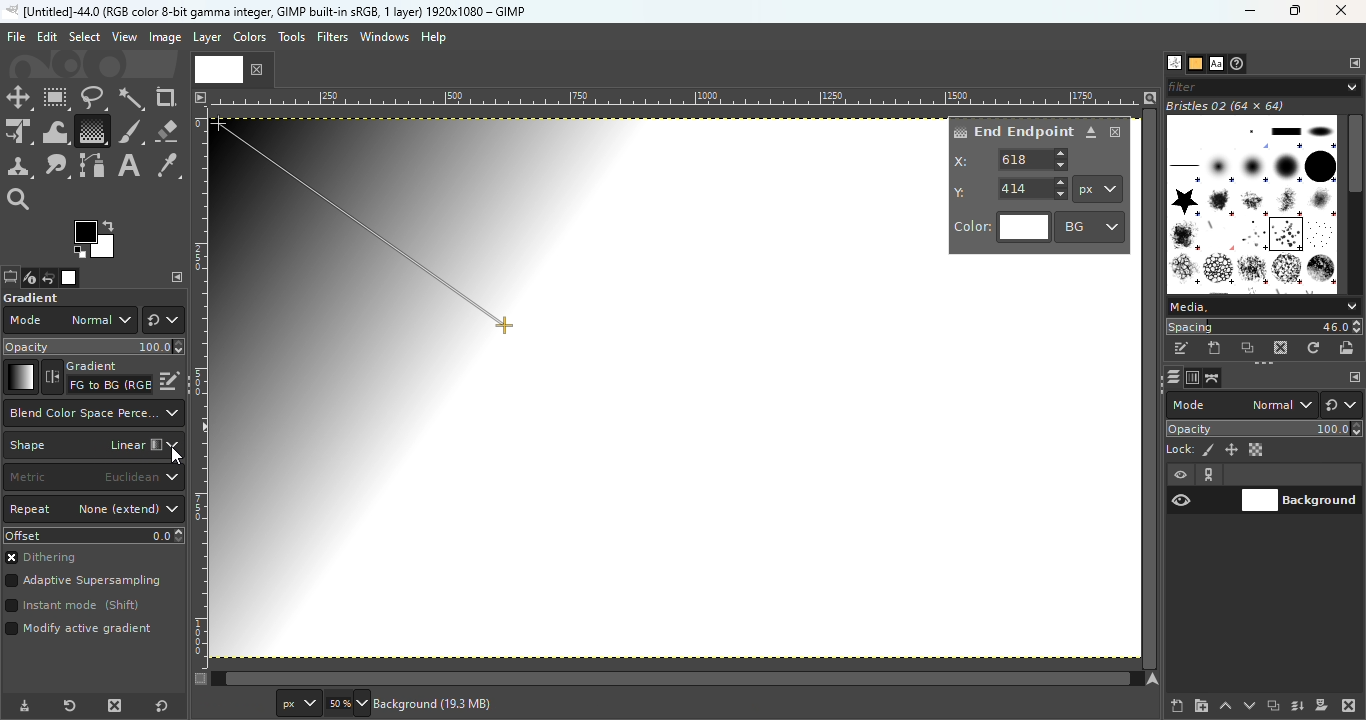 This screenshot has height=720, width=1366. I want to click on Duplicate this brush, so click(1249, 348).